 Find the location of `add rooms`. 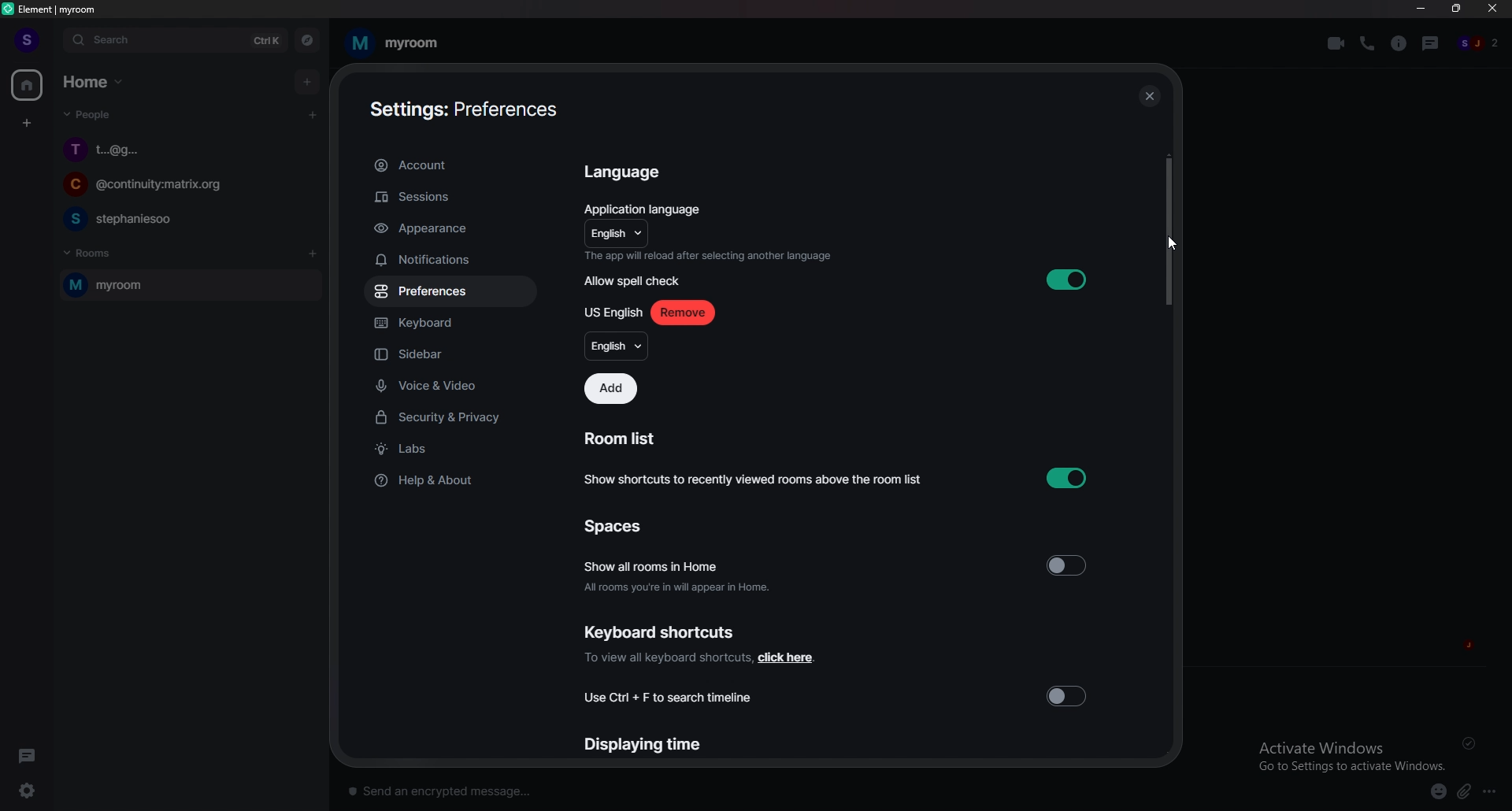

add rooms is located at coordinates (313, 254).